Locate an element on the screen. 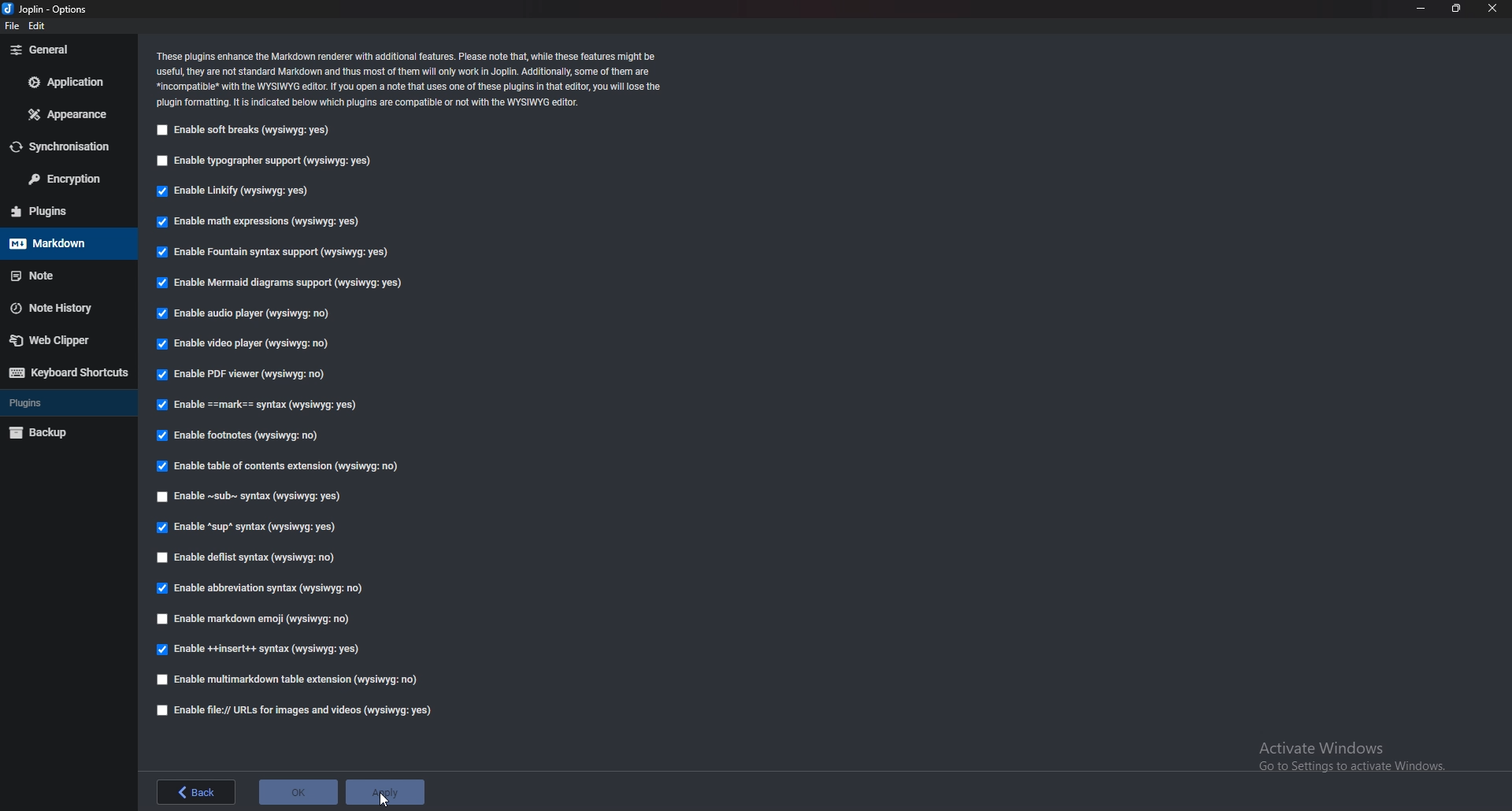 Image resolution: width=1512 pixels, height=811 pixels. options is located at coordinates (46, 8).